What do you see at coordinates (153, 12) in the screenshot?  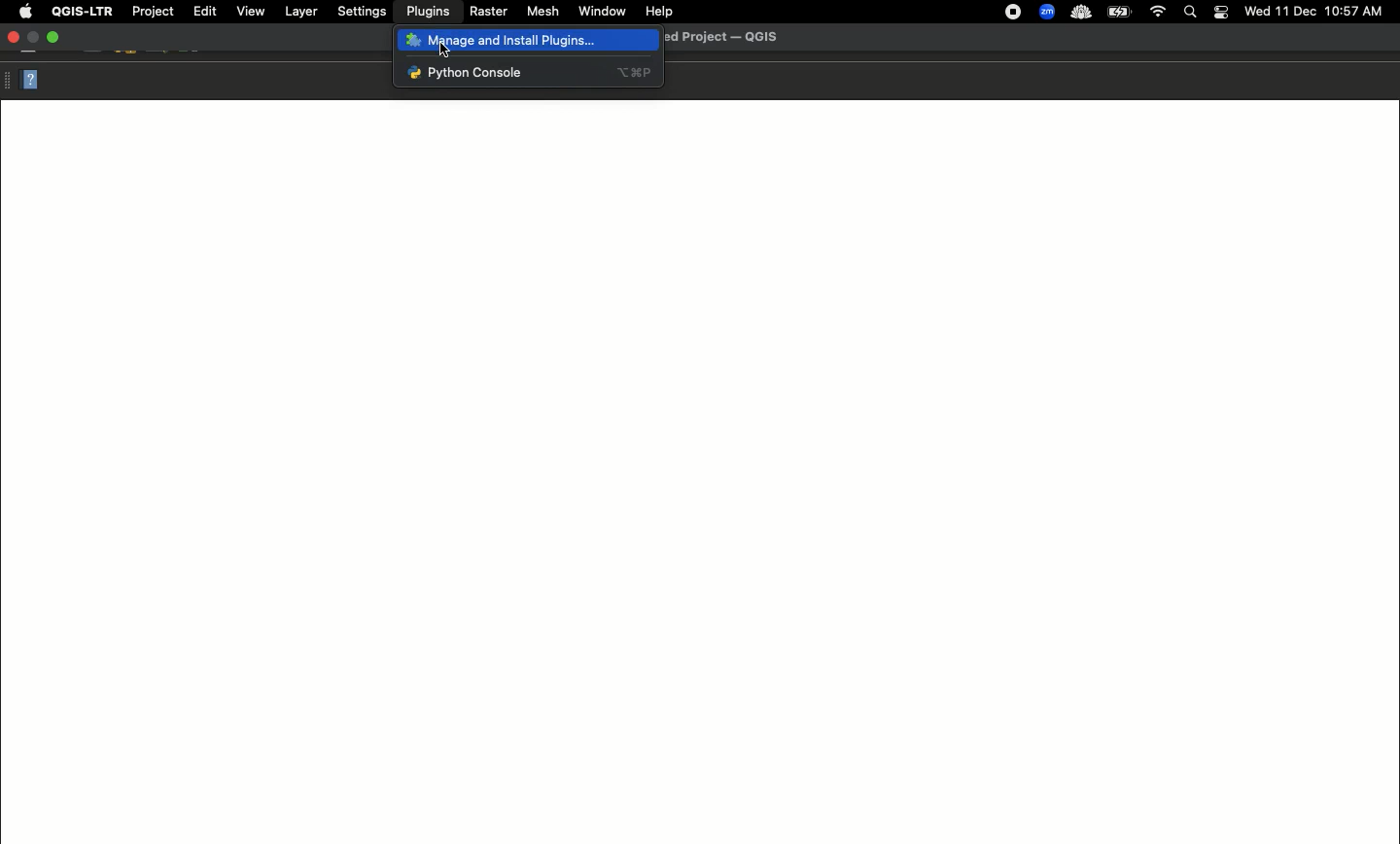 I see `Project` at bounding box center [153, 12].